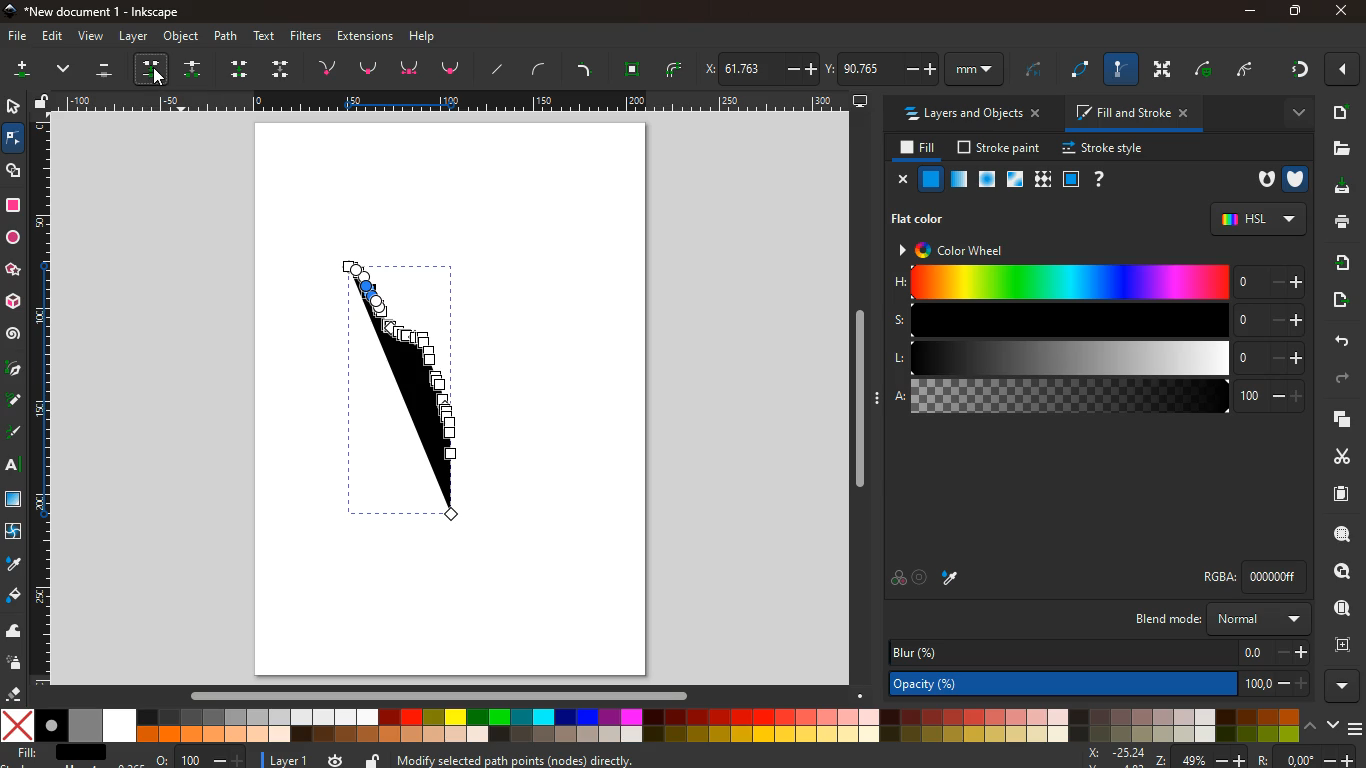 The height and width of the screenshot is (768, 1366). Describe the element at coordinates (280, 759) in the screenshot. I see `layer` at that location.